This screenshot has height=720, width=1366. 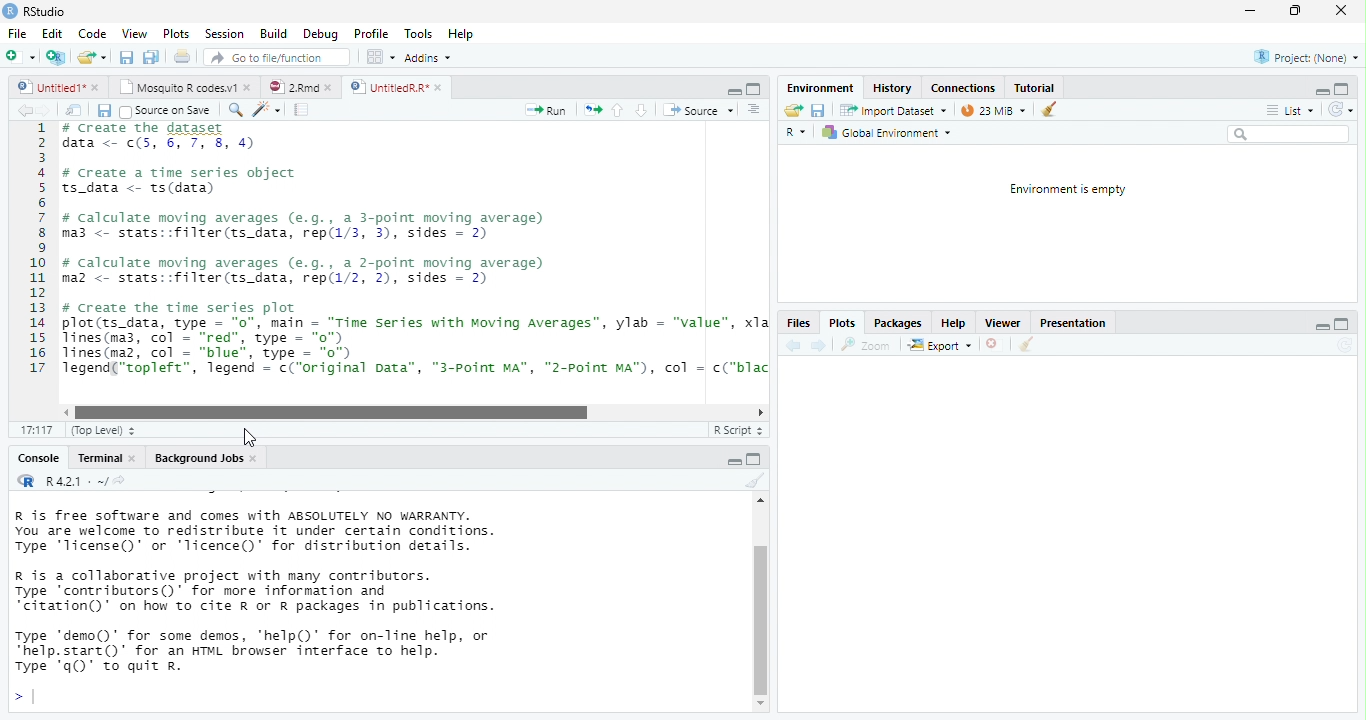 I want to click on Connections, so click(x=962, y=88).